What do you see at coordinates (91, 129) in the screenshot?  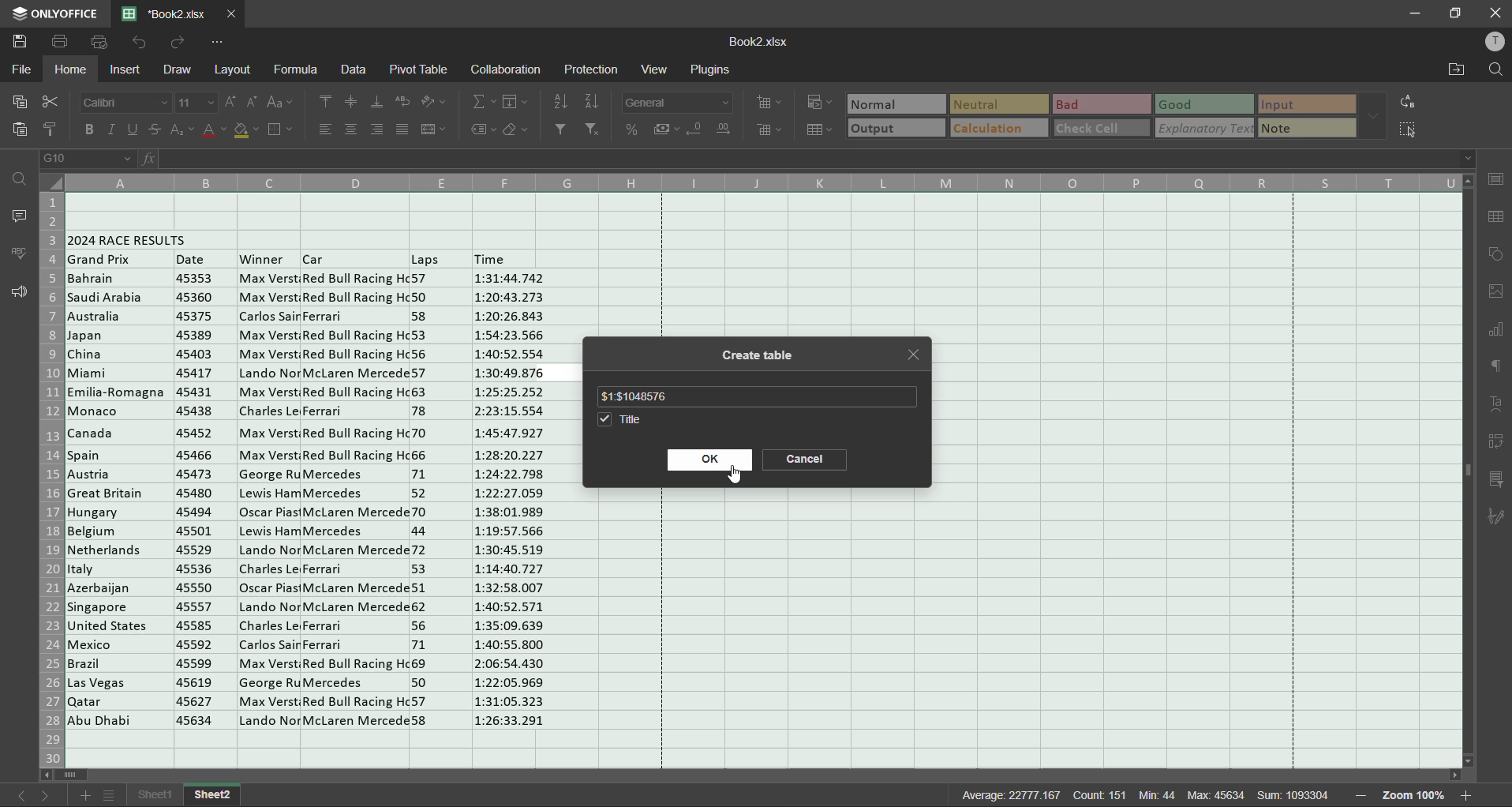 I see `bold` at bounding box center [91, 129].